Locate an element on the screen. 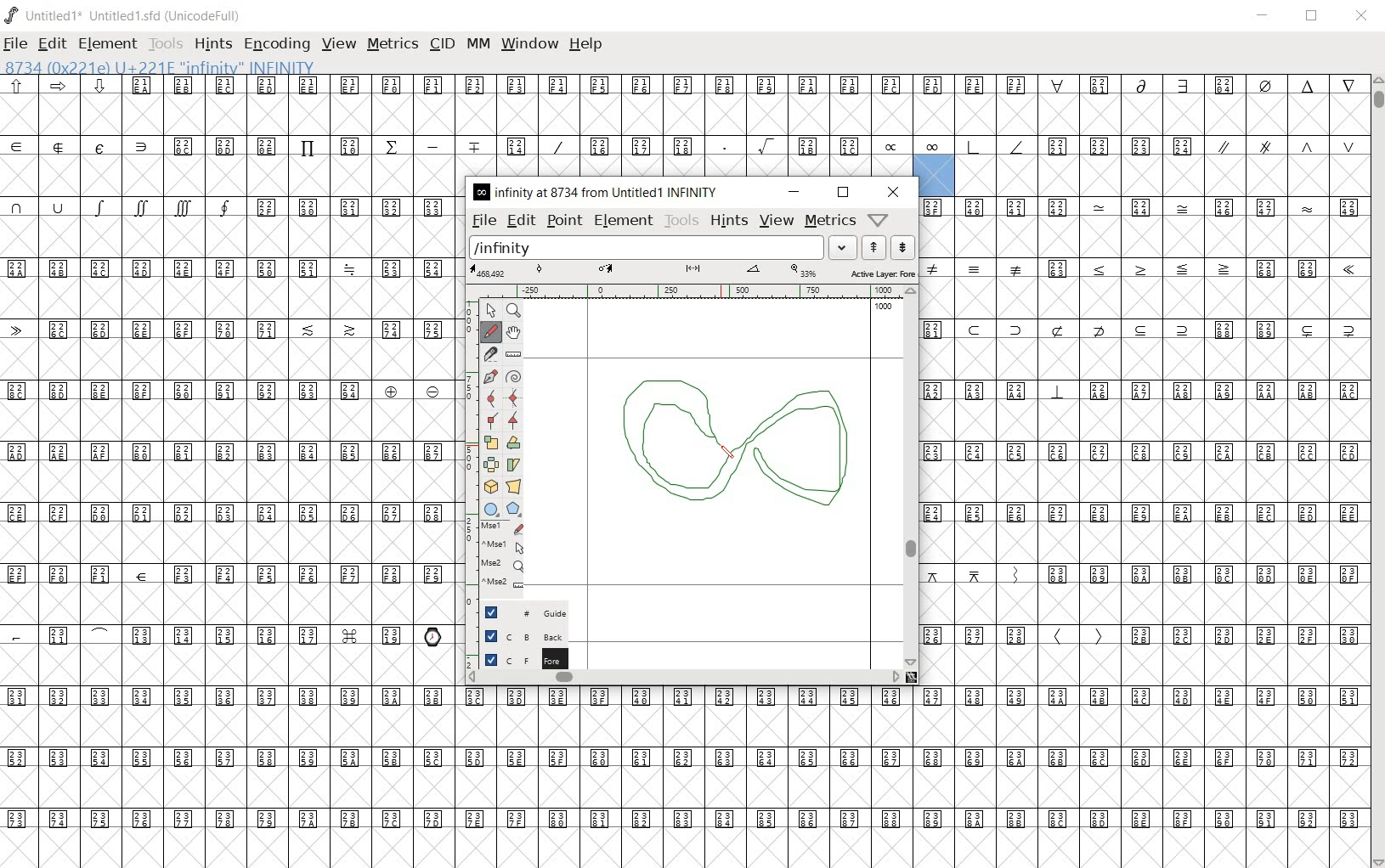  symbol is located at coordinates (1058, 391).